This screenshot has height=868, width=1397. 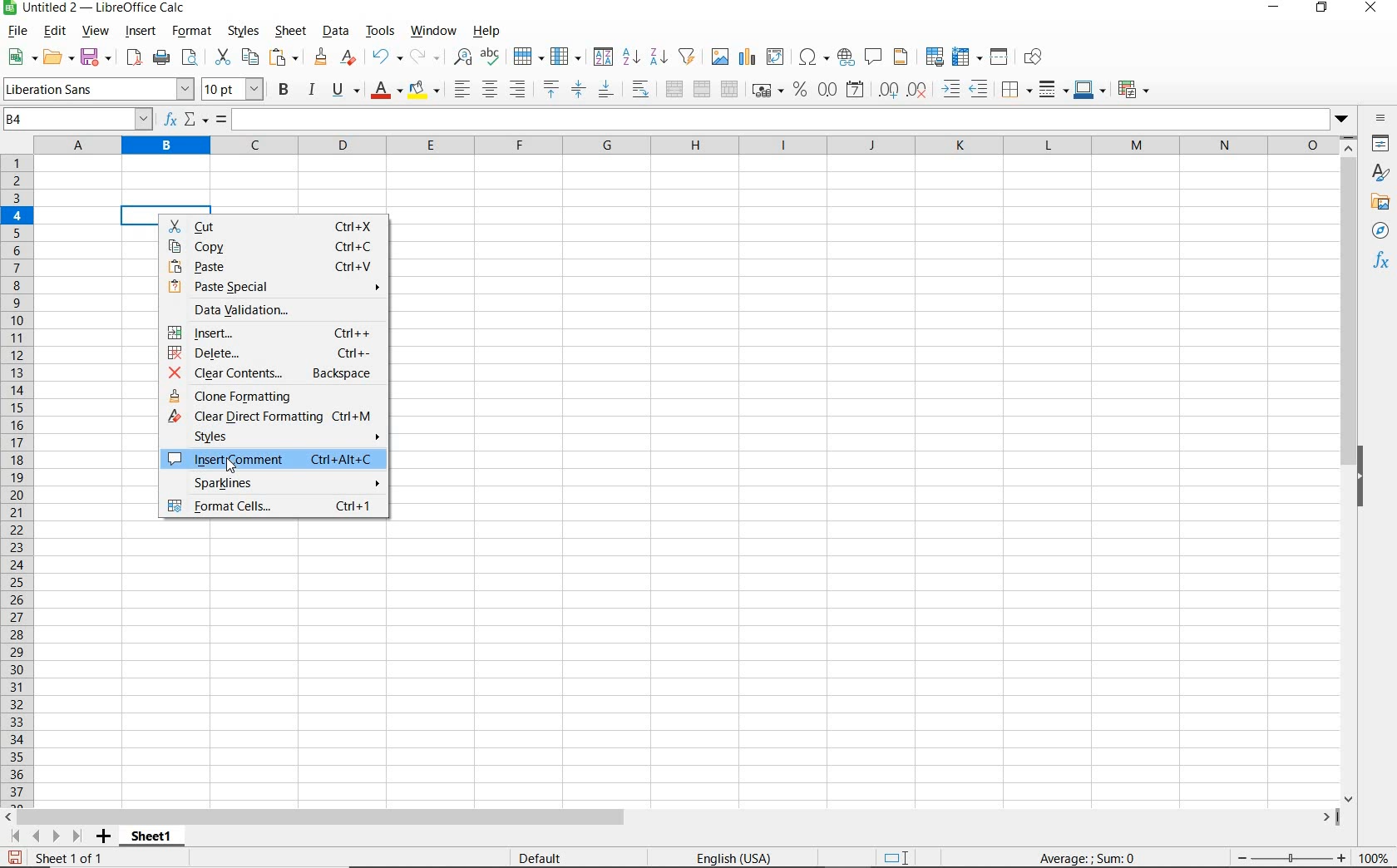 What do you see at coordinates (423, 57) in the screenshot?
I see `redo` at bounding box center [423, 57].